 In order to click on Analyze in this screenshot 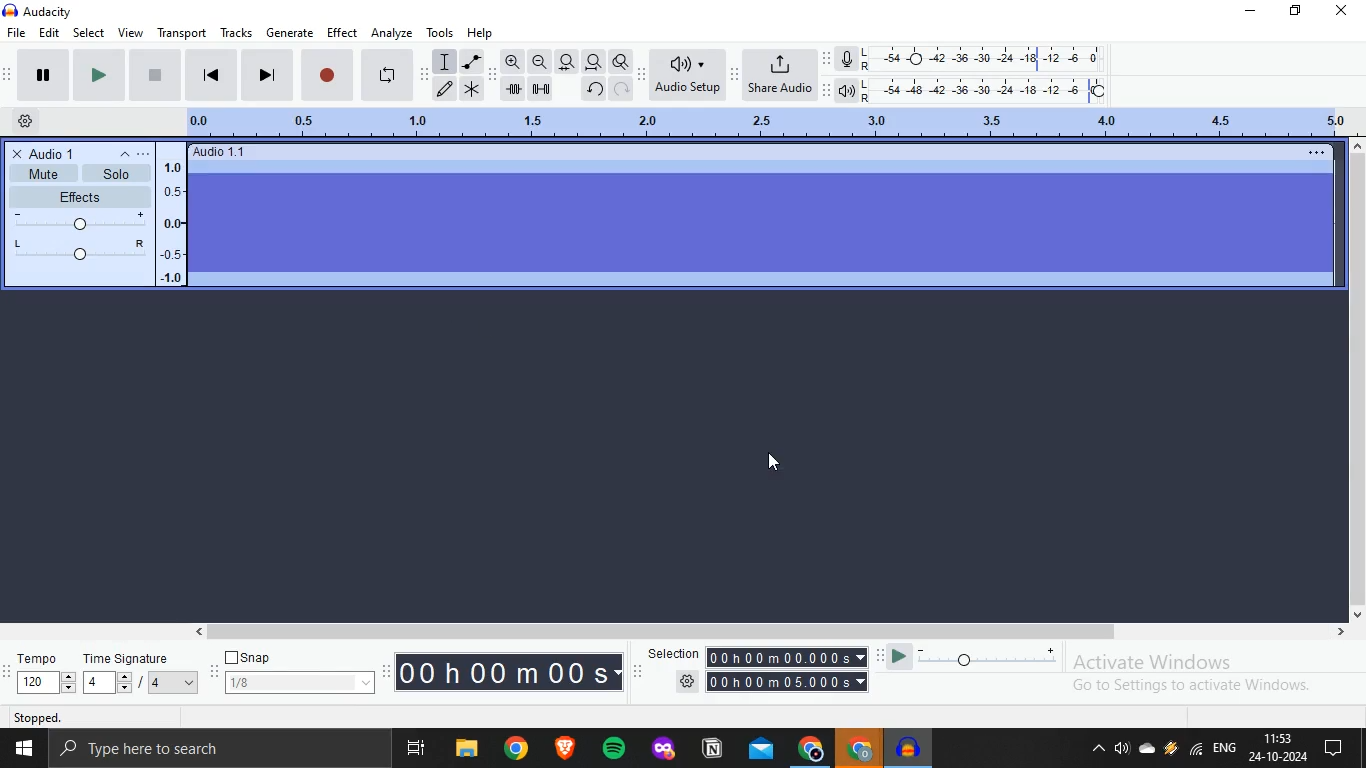, I will do `click(392, 31)`.